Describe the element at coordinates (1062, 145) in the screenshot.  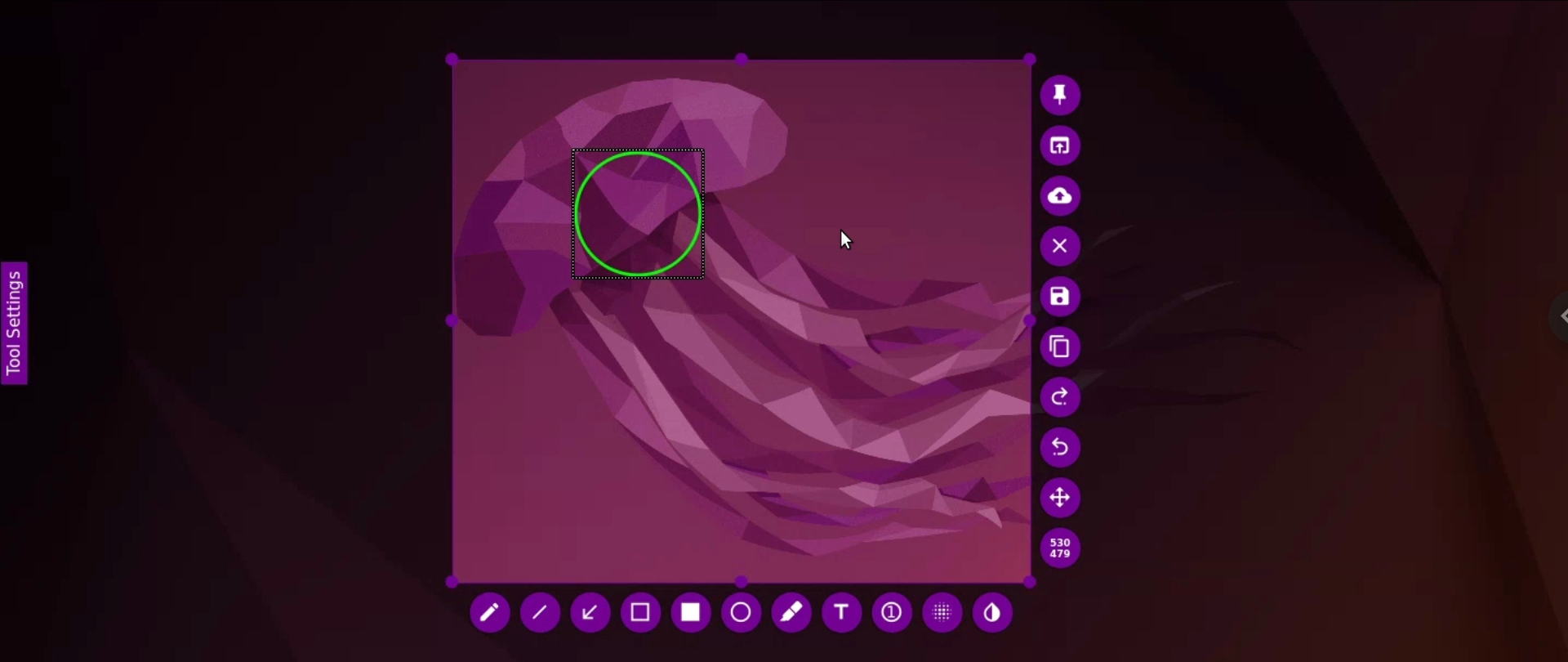
I see `open image` at that location.